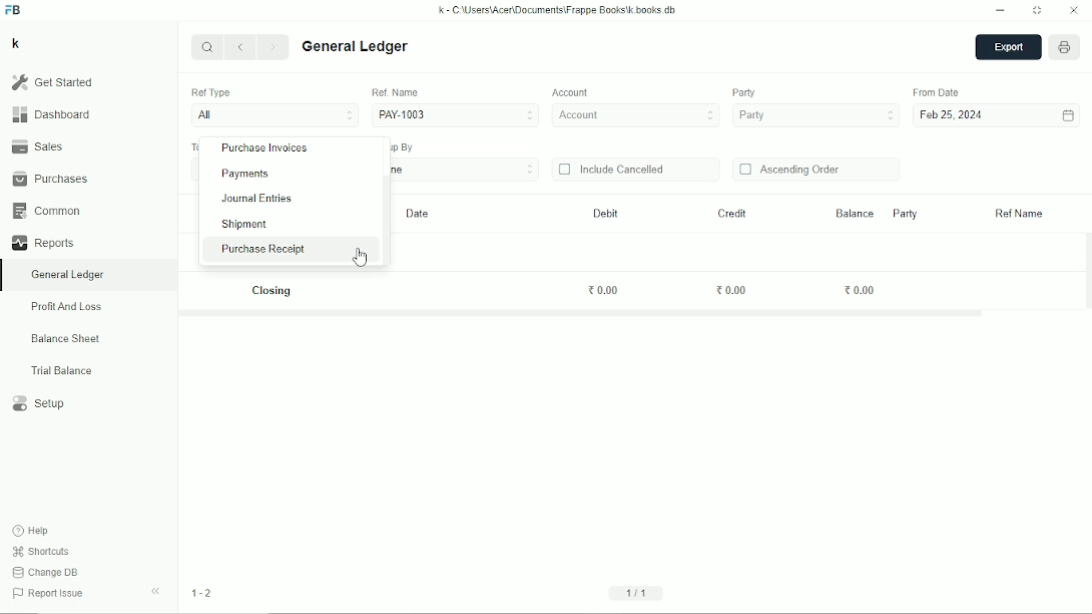 The width and height of the screenshot is (1092, 614). Describe the element at coordinates (13, 10) in the screenshot. I see `FB` at that location.